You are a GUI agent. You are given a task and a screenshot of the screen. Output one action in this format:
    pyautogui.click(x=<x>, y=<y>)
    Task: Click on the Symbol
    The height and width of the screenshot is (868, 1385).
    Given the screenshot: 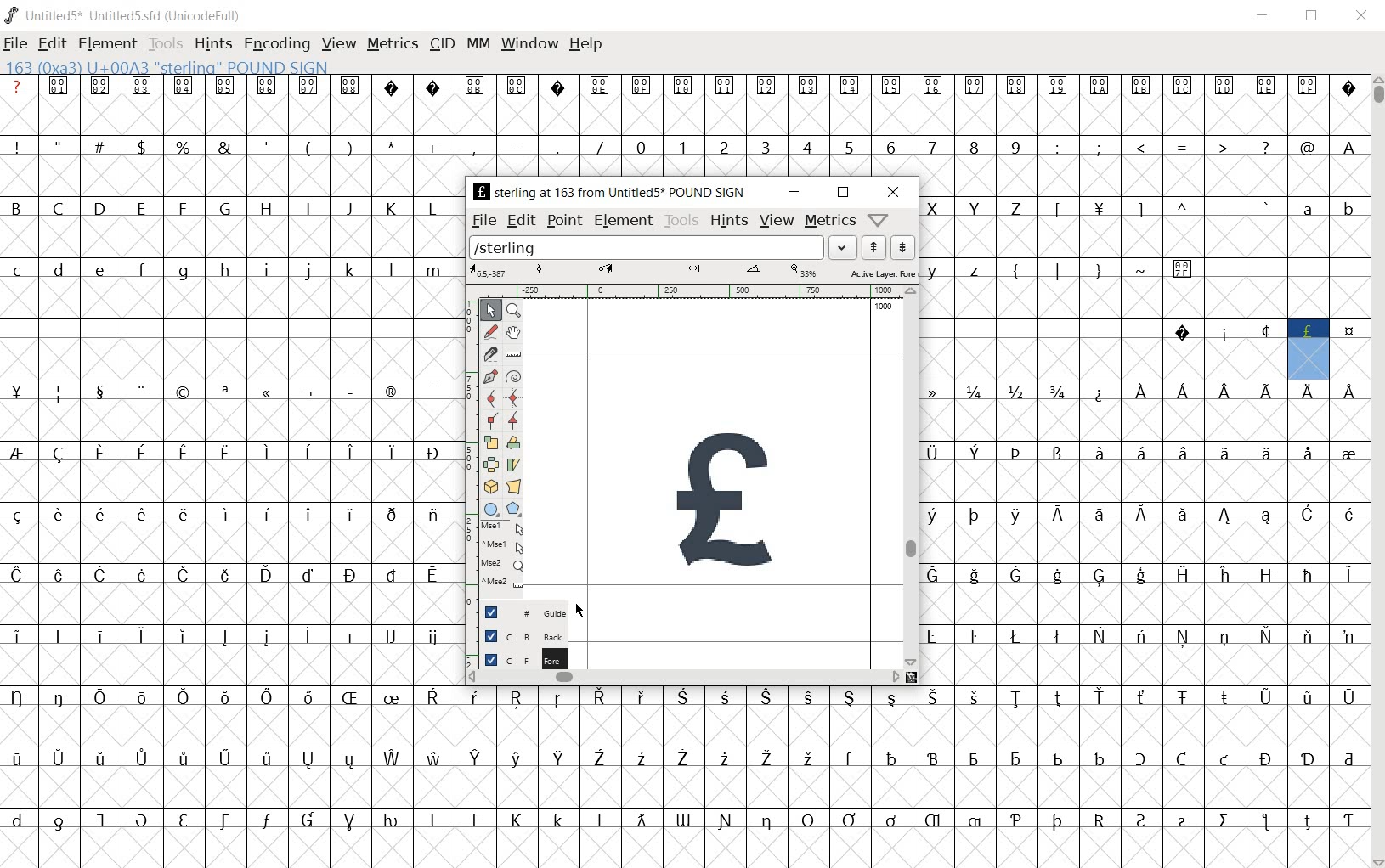 What is the action you would take?
    pyautogui.click(x=308, y=573)
    